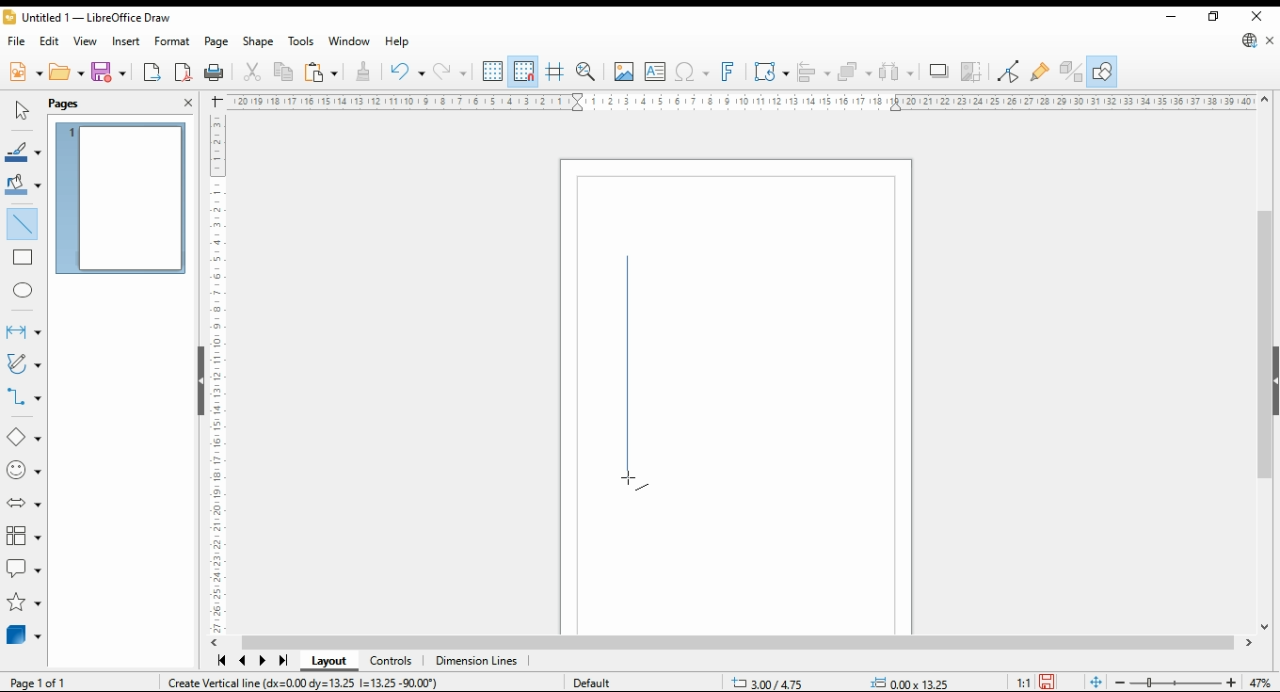 Image resolution: width=1280 pixels, height=692 pixels. Describe the element at coordinates (50, 40) in the screenshot. I see `edit` at that location.